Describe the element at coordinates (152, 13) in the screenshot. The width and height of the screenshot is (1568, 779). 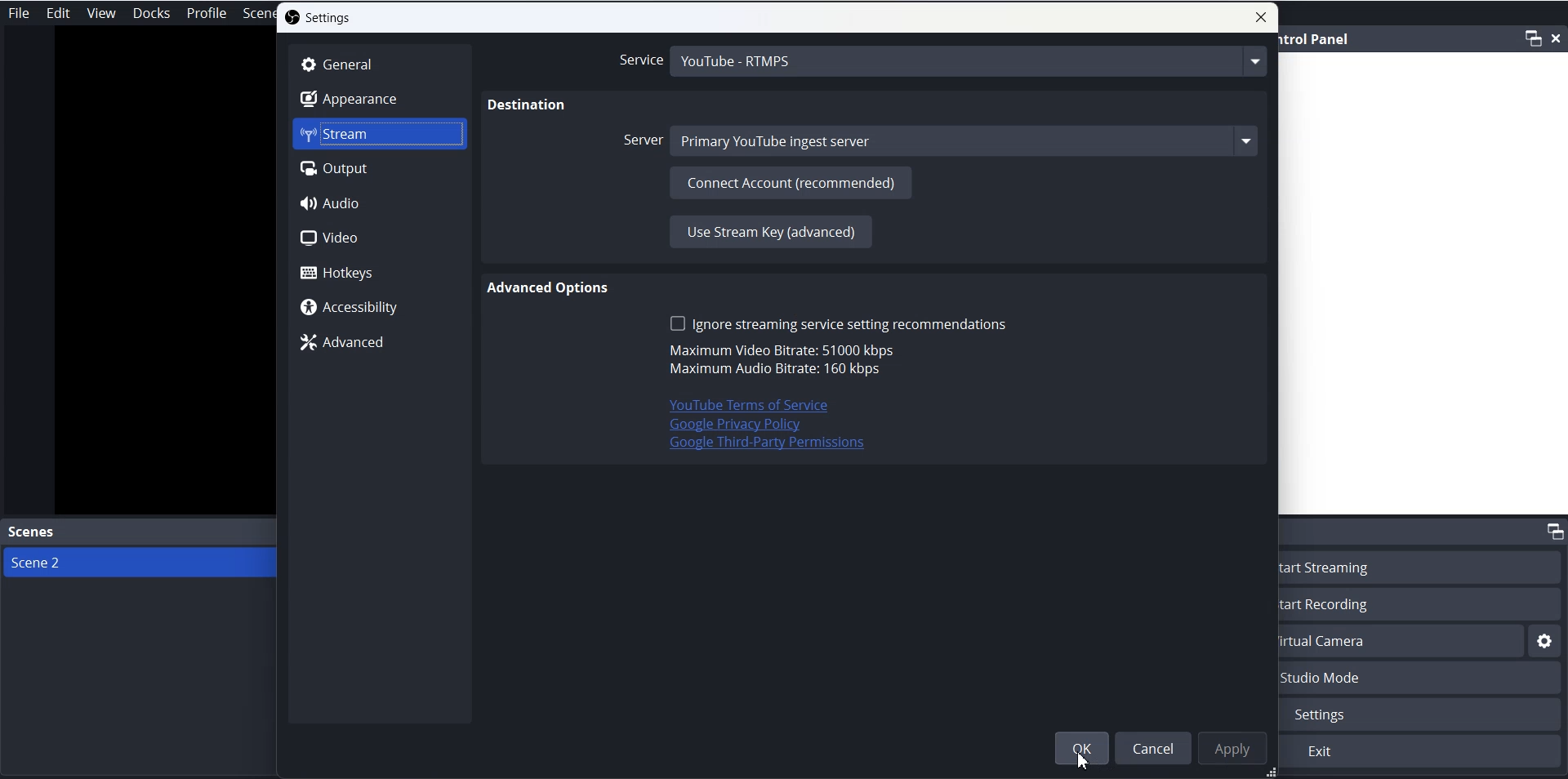
I see `Decks` at that location.